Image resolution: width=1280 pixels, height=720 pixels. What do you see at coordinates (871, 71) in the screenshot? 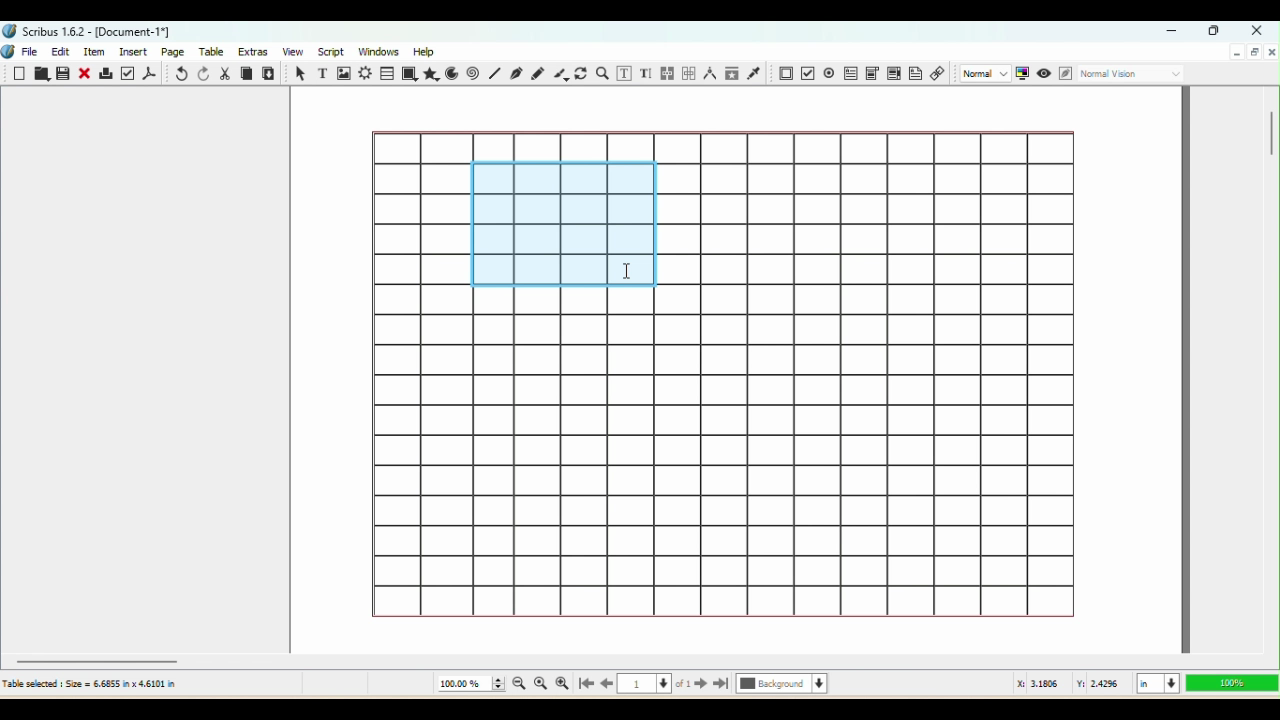
I see `PDF combo box` at bounding box center [871, 71].